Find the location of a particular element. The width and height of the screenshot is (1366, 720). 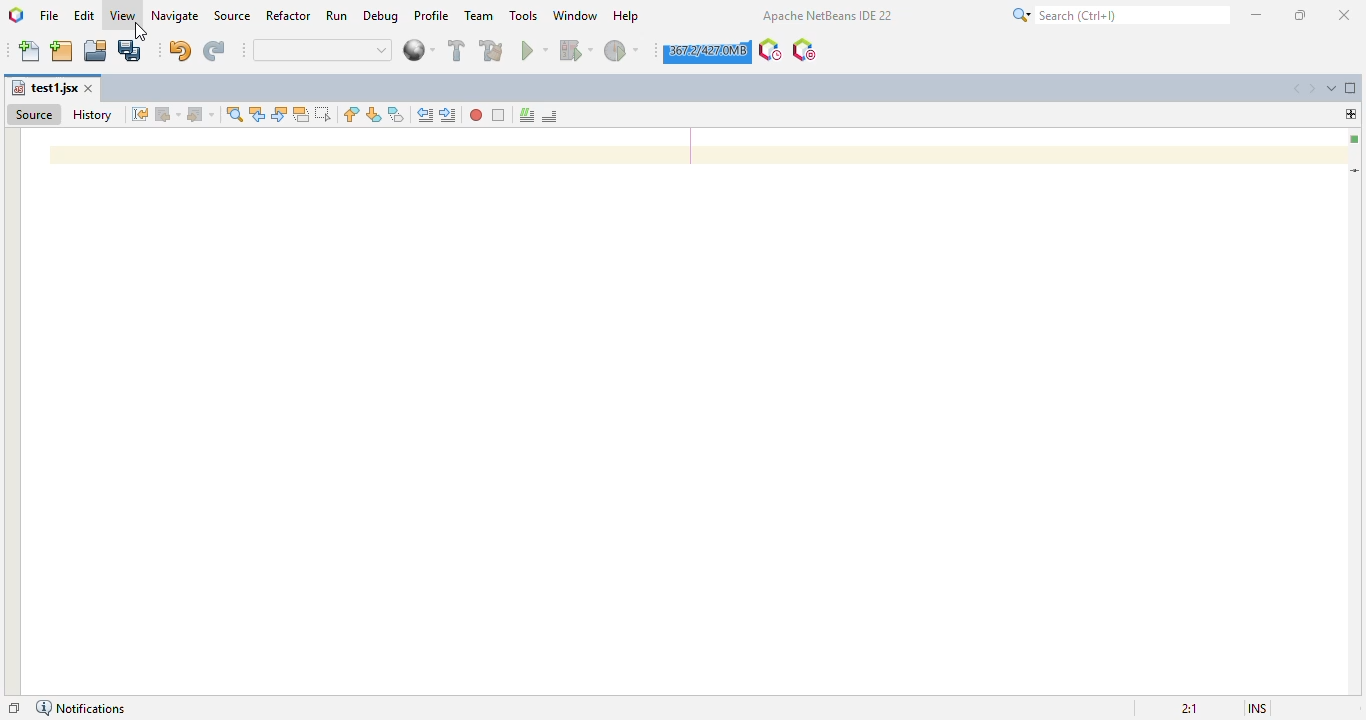

close is located at coordinates (89, 88).